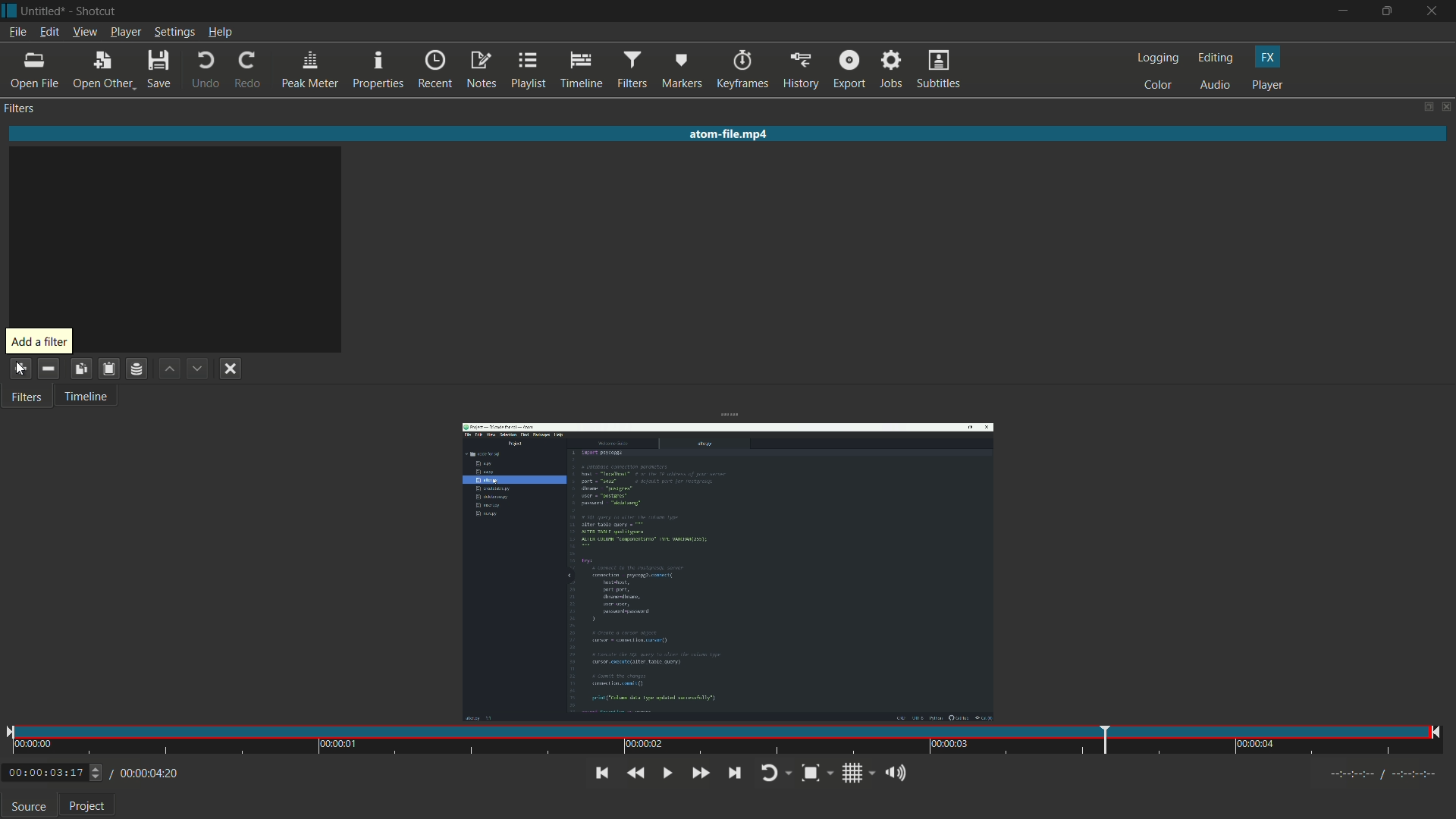  What do you see at coordinates (198, 369) in the screenshot?
I see `move filter down` at bounding box center [198, 369].